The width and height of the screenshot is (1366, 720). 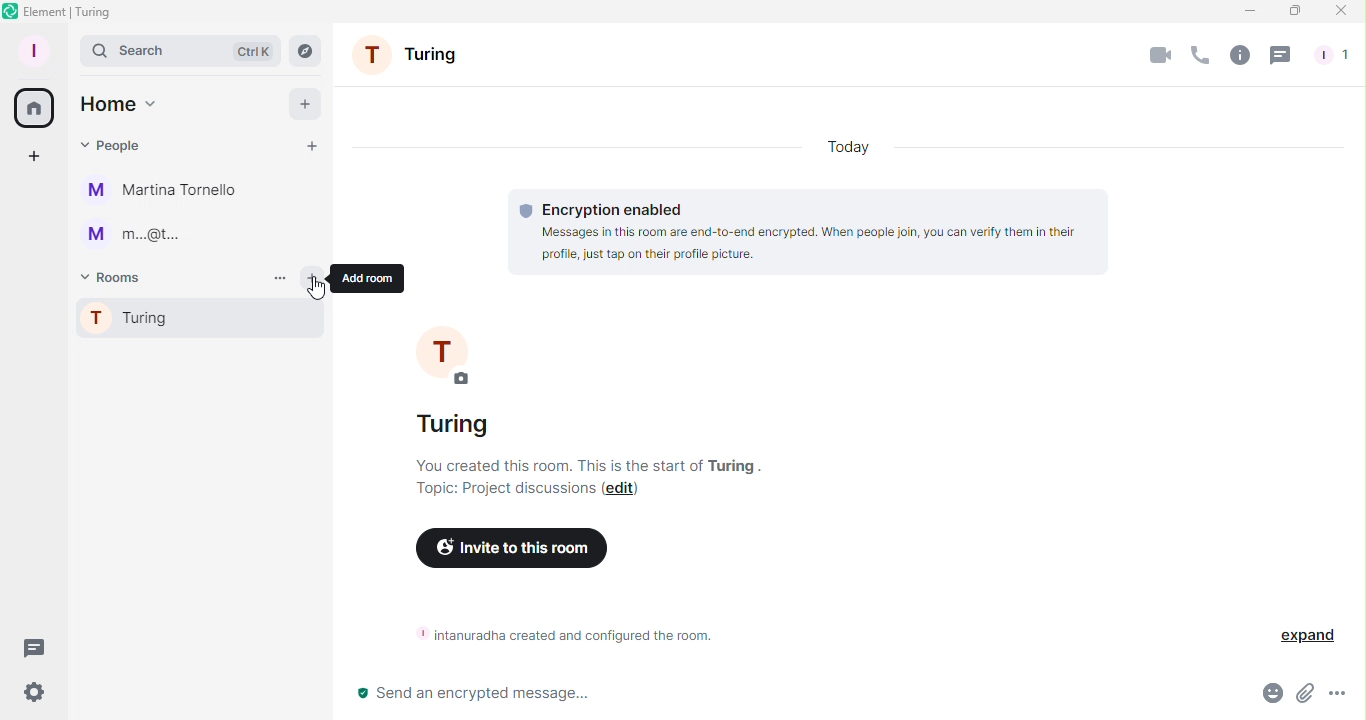 What do you see at coordinates (310, 149) in the screenshot?
I see `Start chat` at bounding box center [310, 149].